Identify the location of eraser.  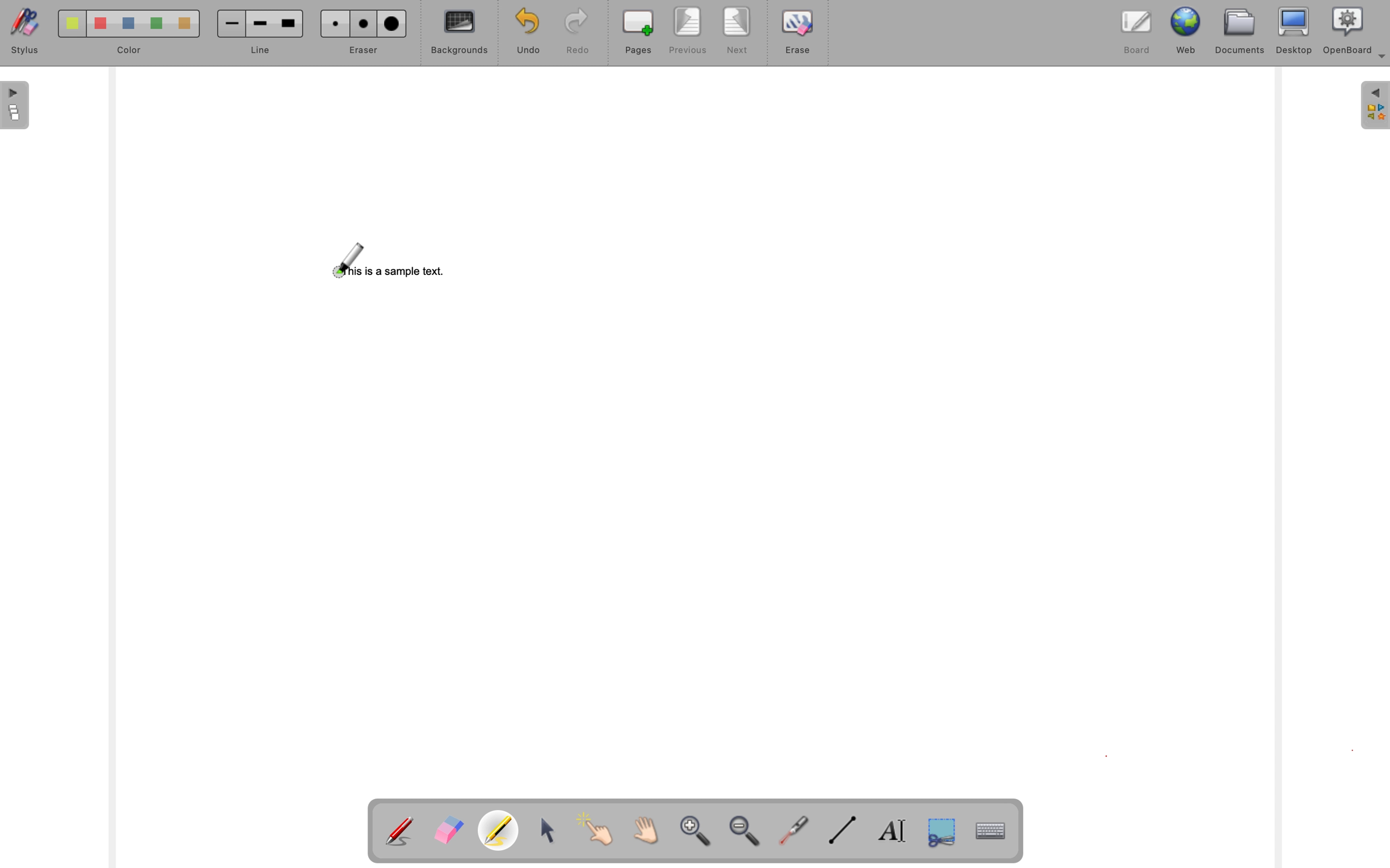
(365, 50).